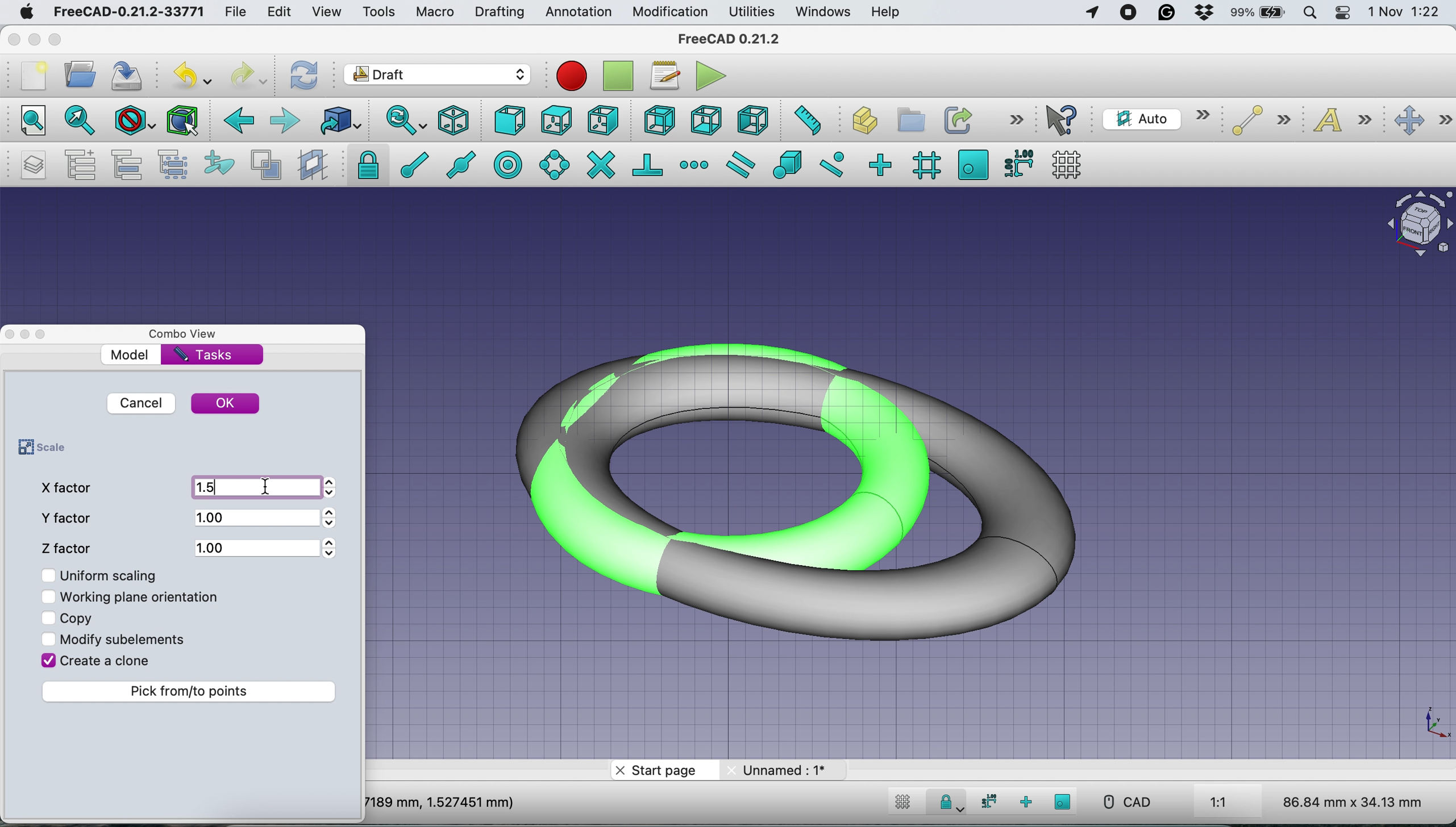 The height and width of the screenshot is (827, 1456). Describe the element at coordinates (1121, 802) in the screenshot. I see `CAD` at that location.